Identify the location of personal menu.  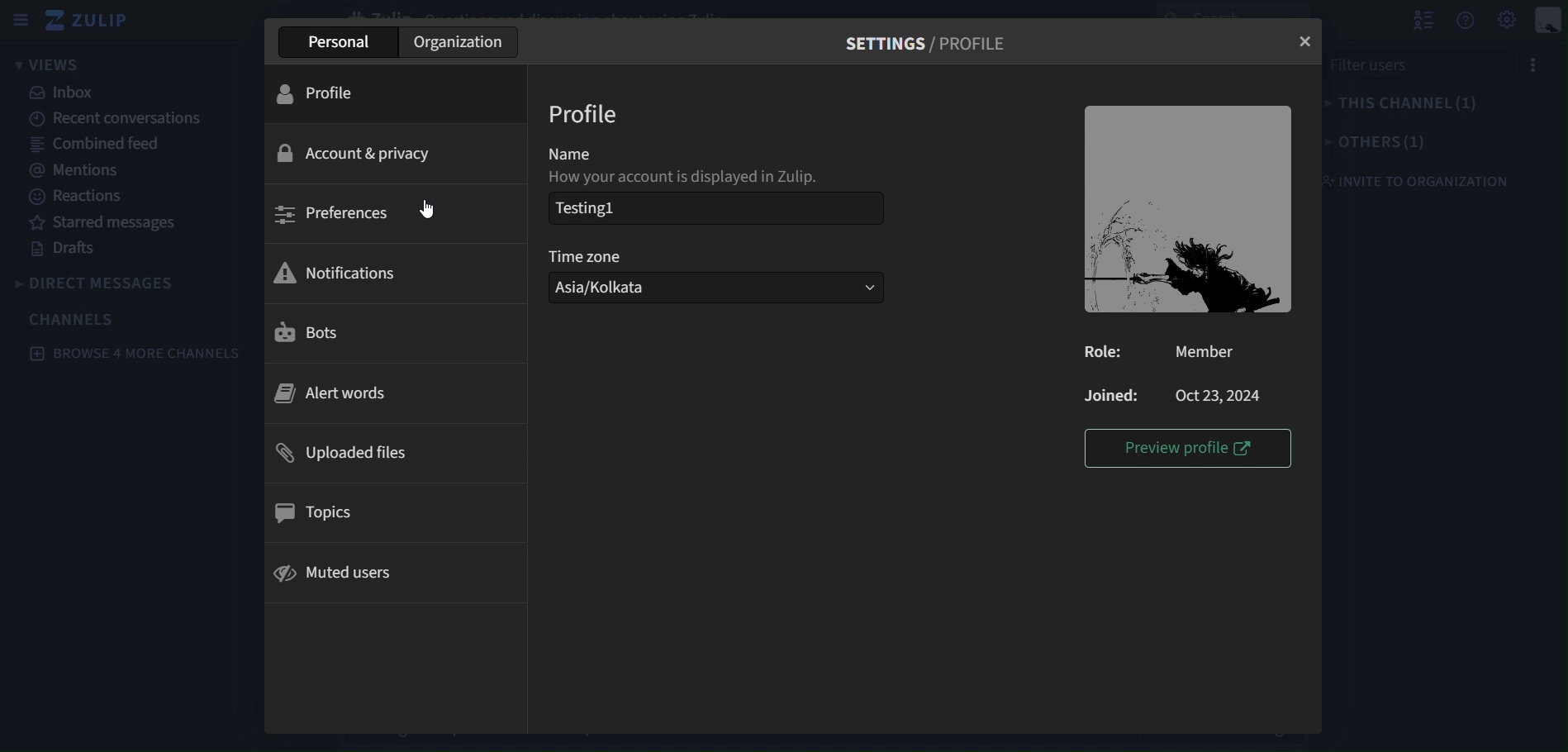
(1551, 20).